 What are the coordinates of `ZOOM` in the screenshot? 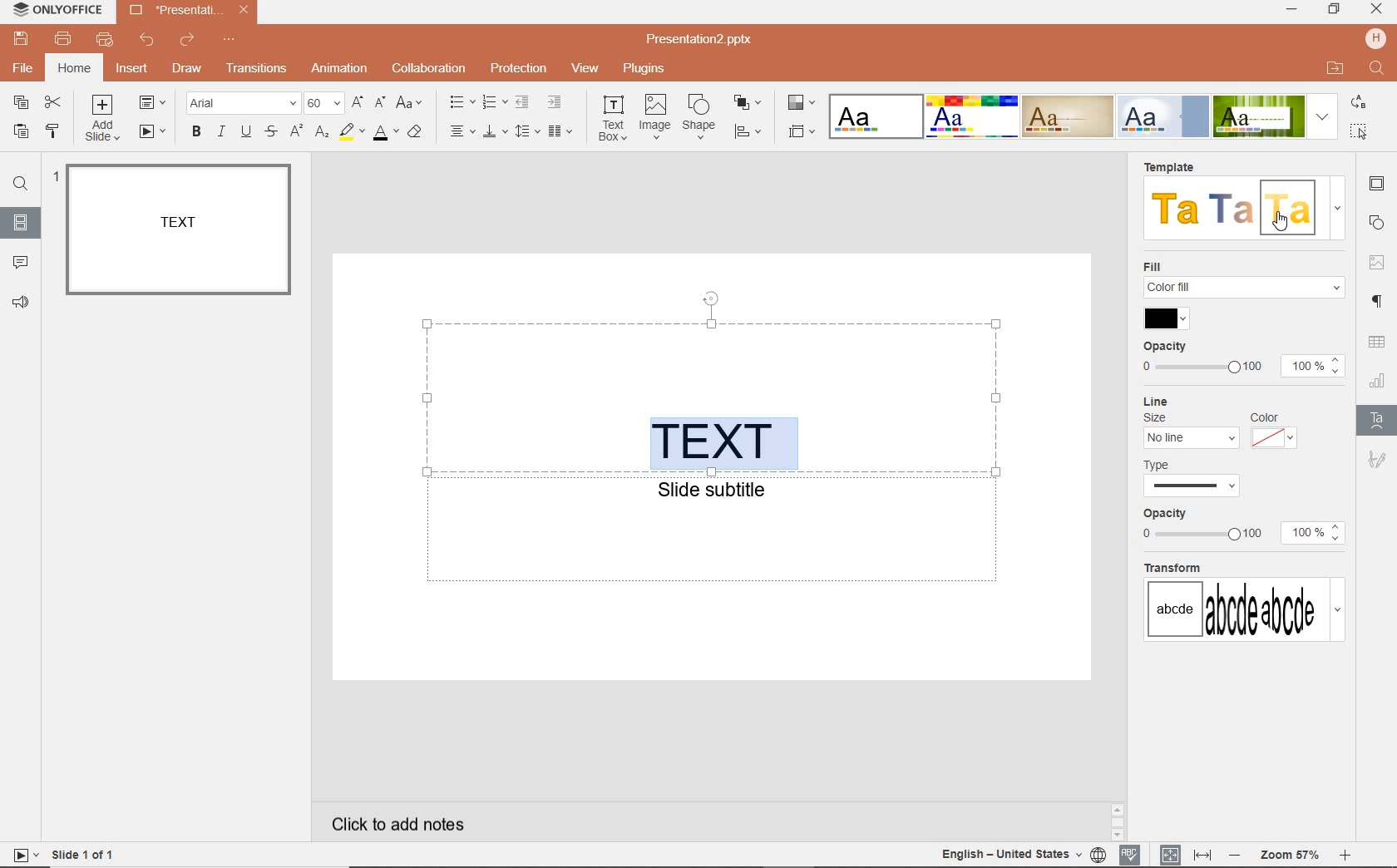 It's located at (1288, 856).